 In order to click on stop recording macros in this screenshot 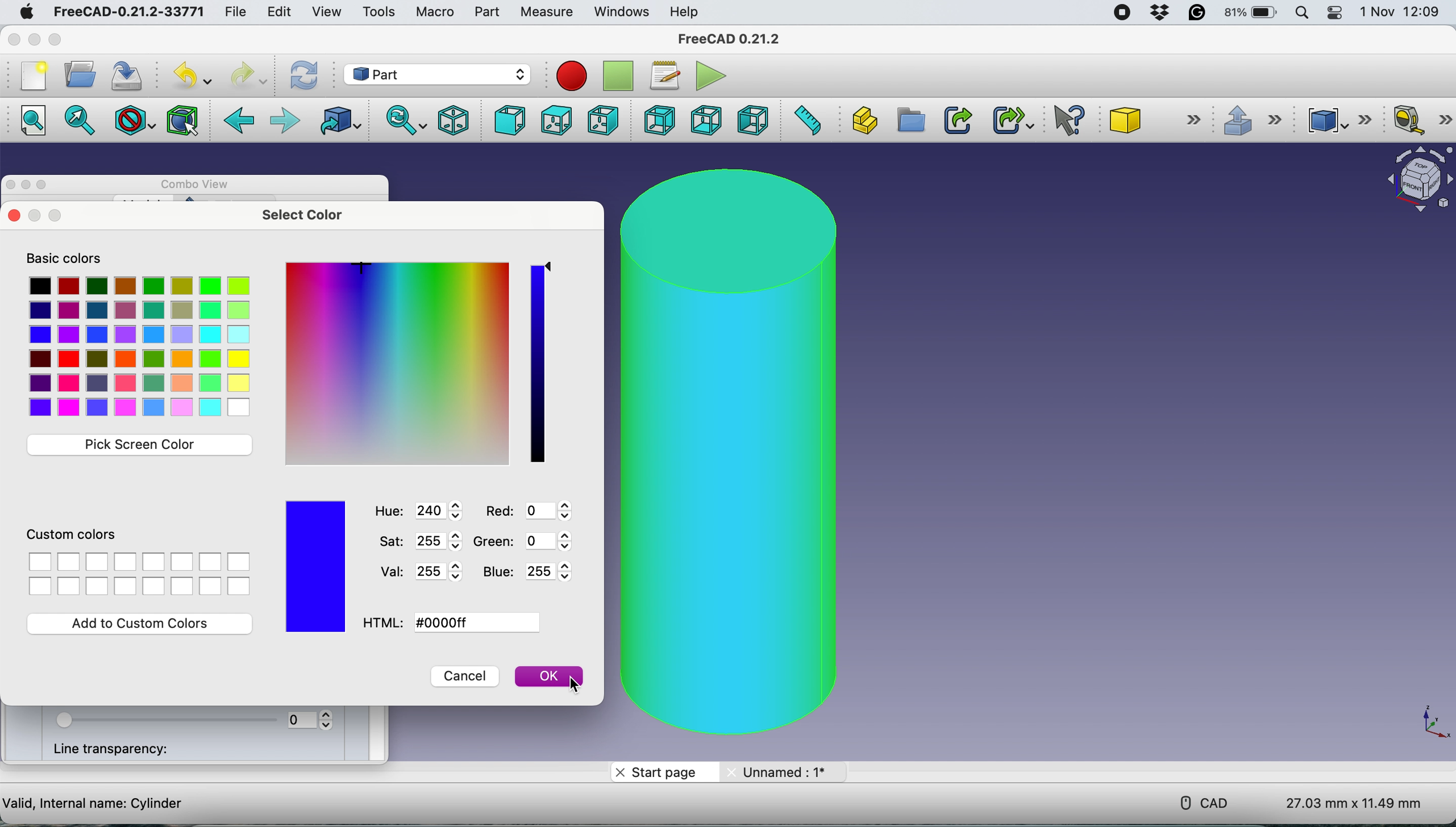, I will do `click(617, 76)`.